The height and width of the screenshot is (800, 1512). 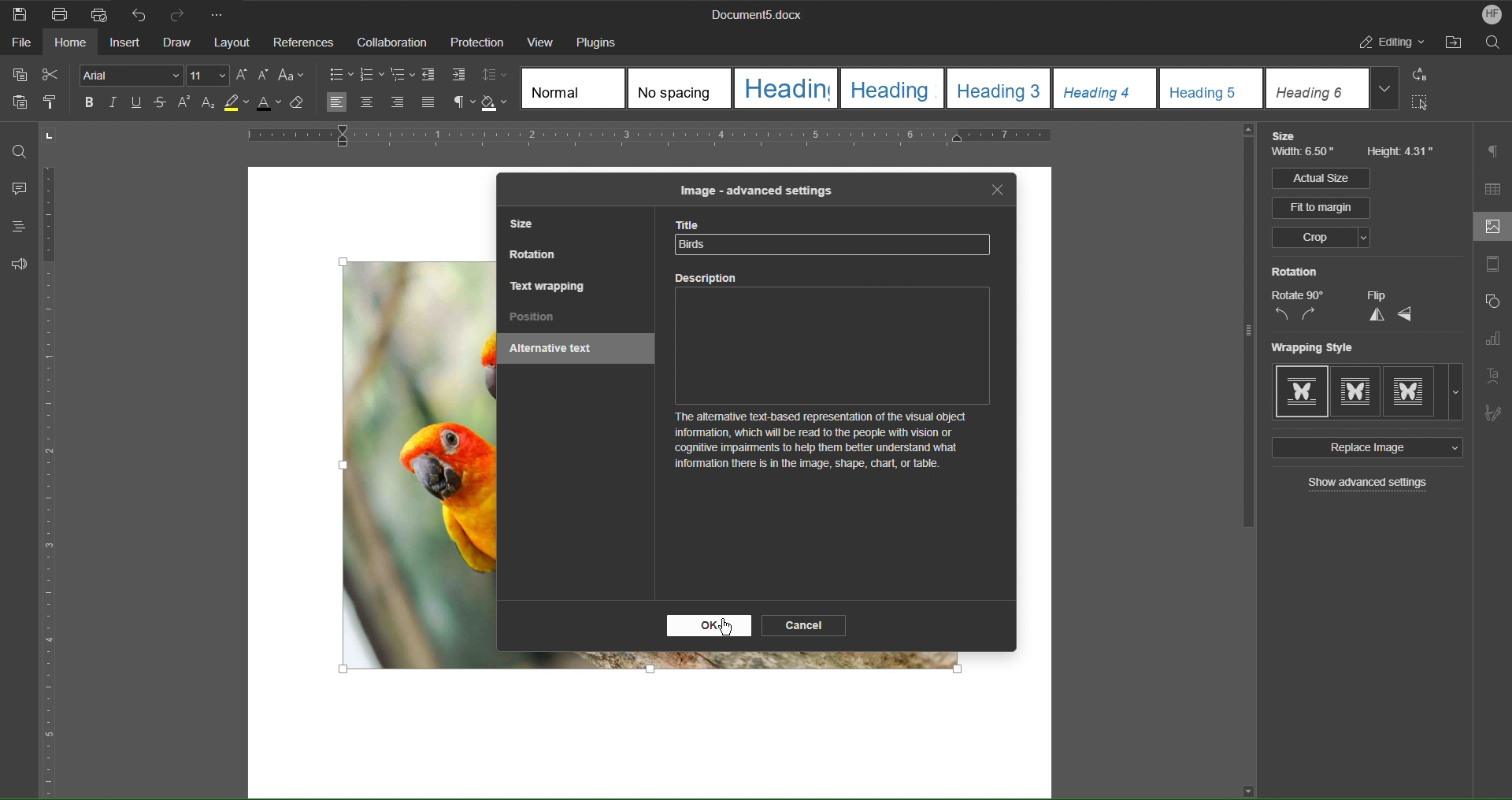 What do you see at coordinates (51, 483) in the screenshot?
I see `Vertical Ruler` at bounding box center [51, 483].